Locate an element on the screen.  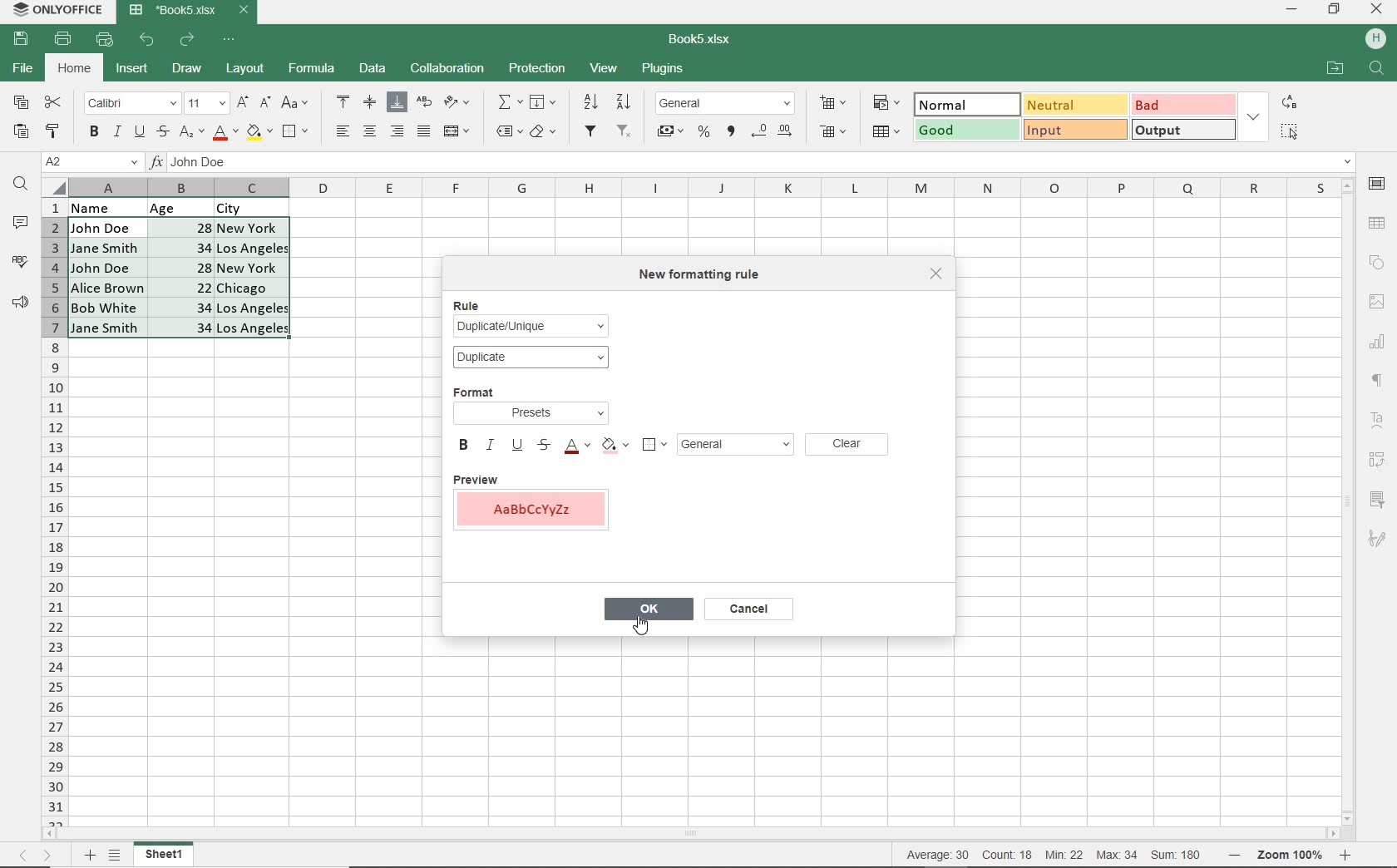
HOME is located at coordinates (76, 70).